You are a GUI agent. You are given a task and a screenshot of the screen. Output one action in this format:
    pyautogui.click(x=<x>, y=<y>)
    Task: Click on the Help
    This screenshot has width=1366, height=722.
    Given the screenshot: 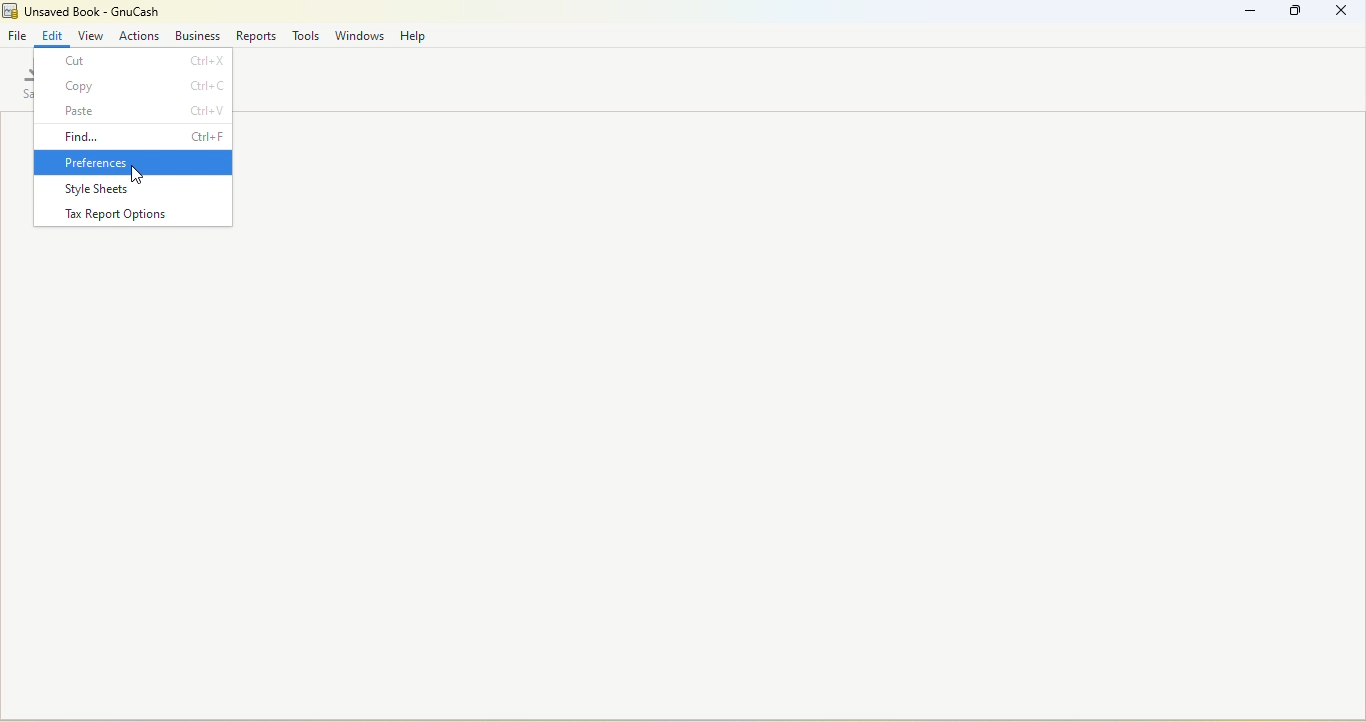 What is the action you would take?
    pyautogui.click(x=411, y=34)
    